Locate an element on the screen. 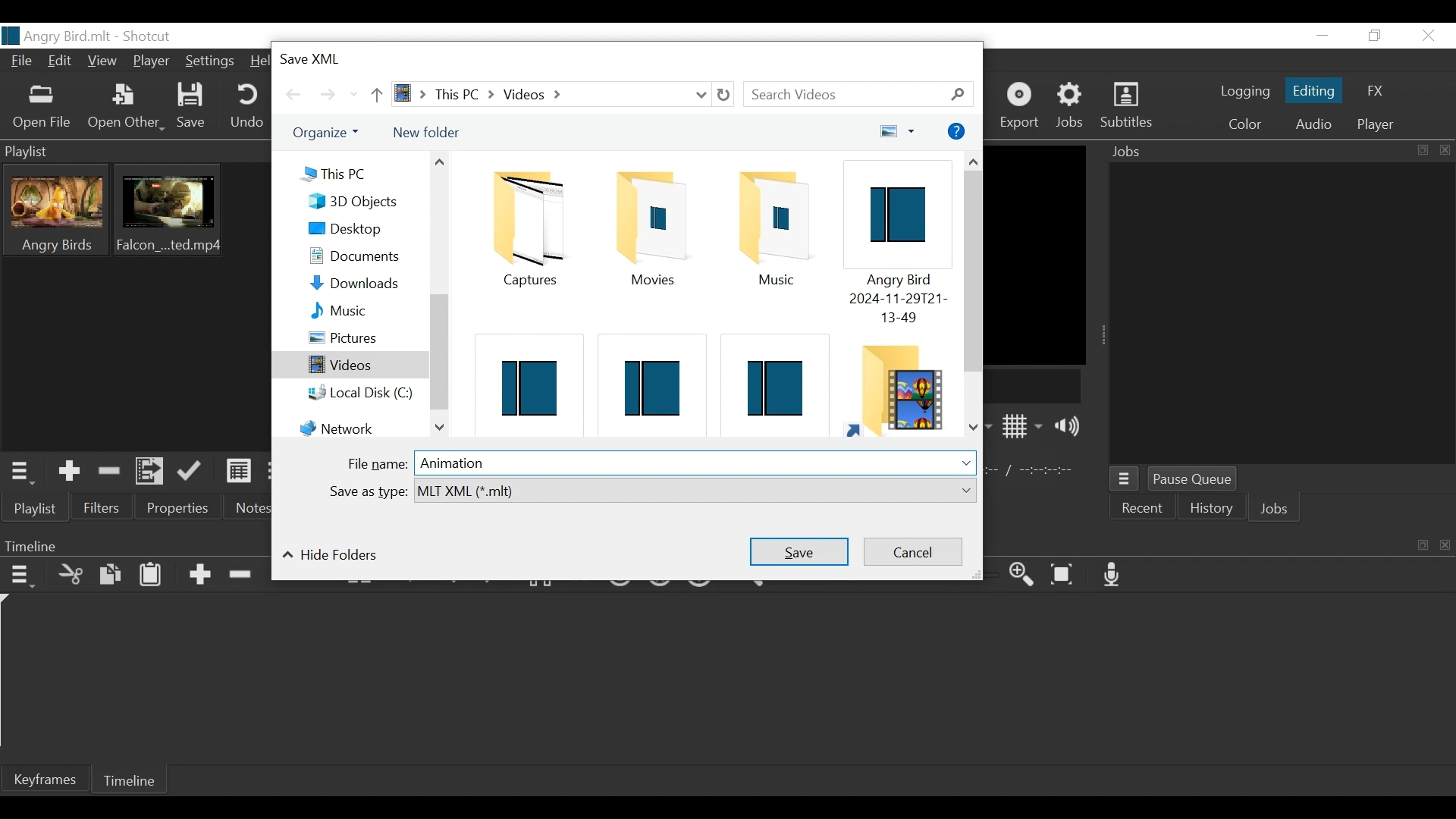  Playlist is located at coordinates (37, 510).